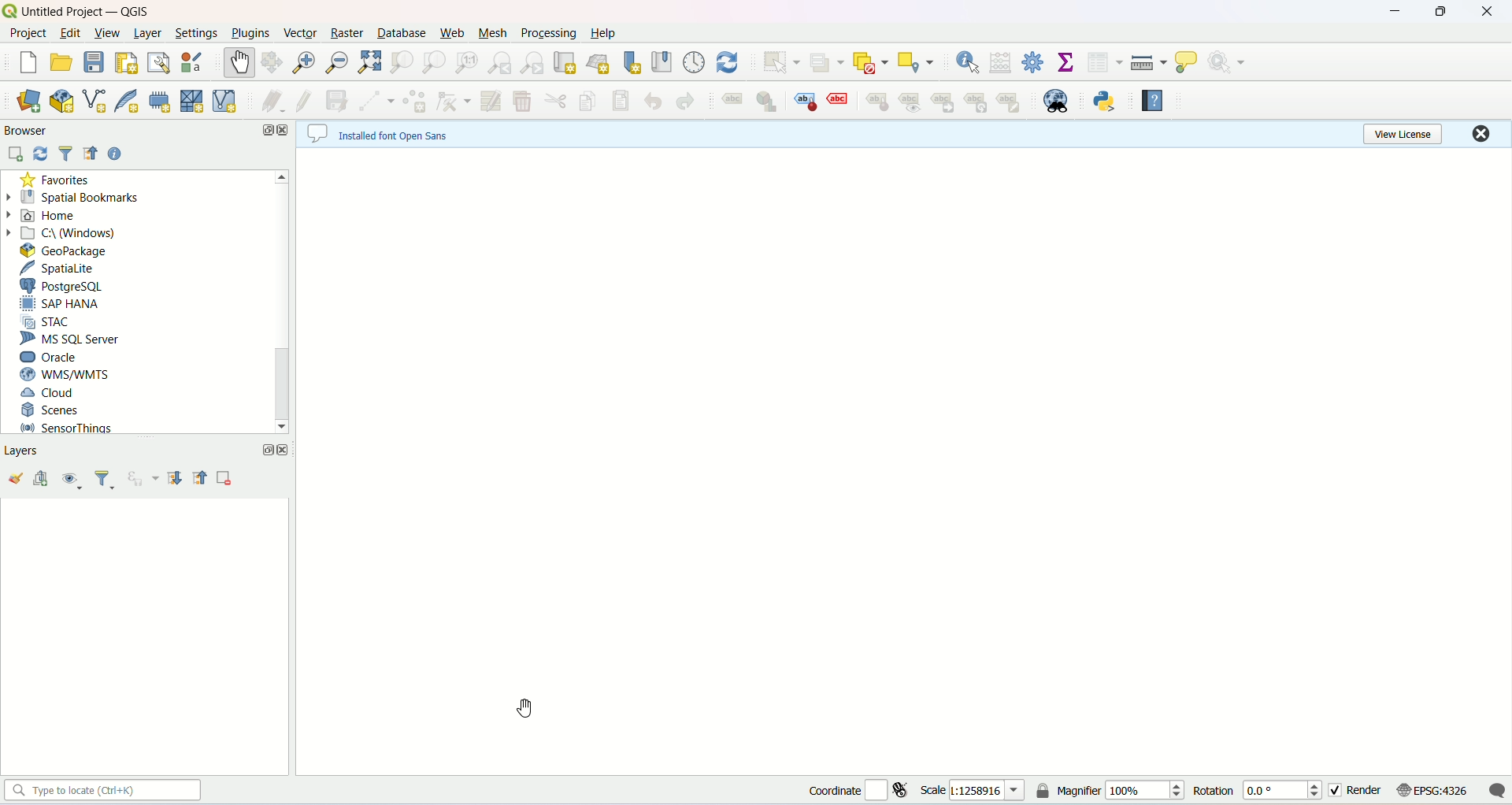 The width and height of the screenshot is (1512, 805). I want to click on EPSG, so click(1434, 792).